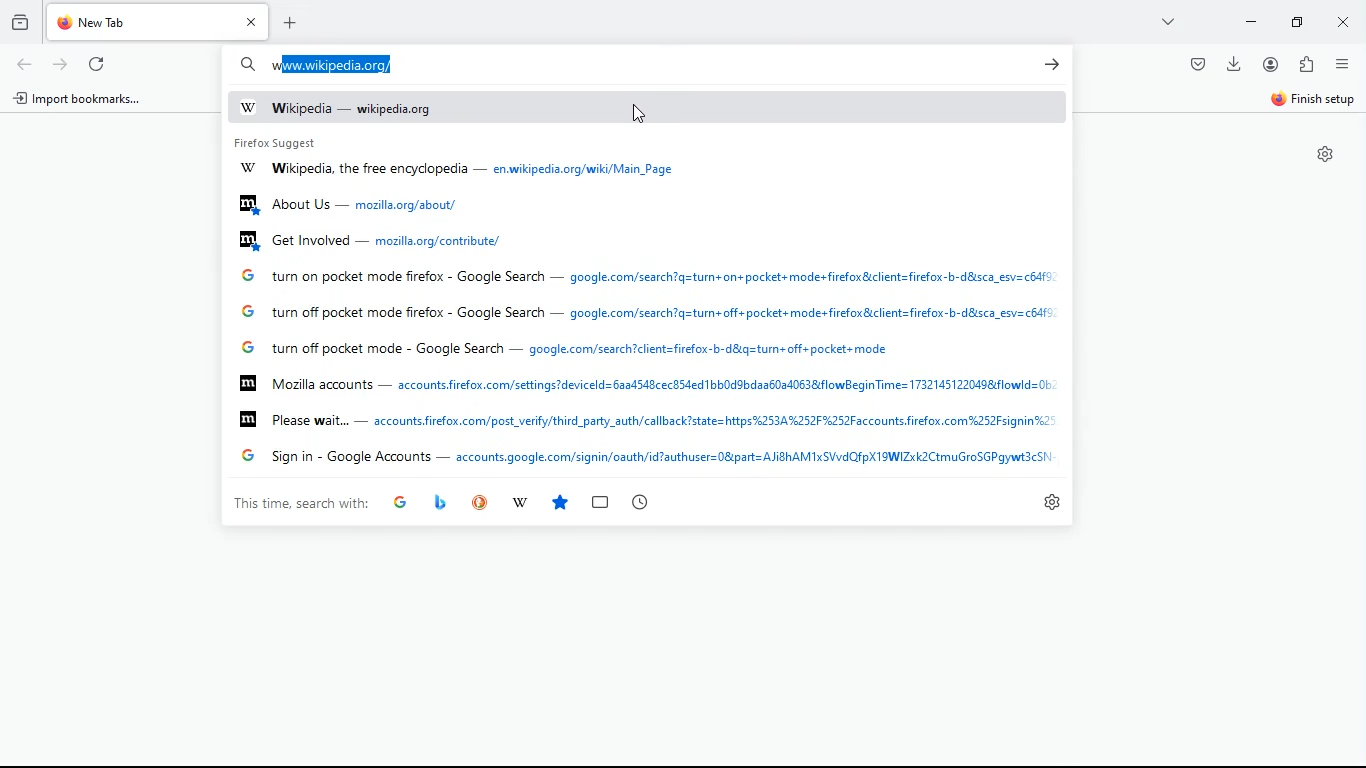 This screenshot has width=1366, height=768. What do you see at coordinates (647, 383) in the screenshot?
I see `firefox suggestions` at bounding box center [647, 383].